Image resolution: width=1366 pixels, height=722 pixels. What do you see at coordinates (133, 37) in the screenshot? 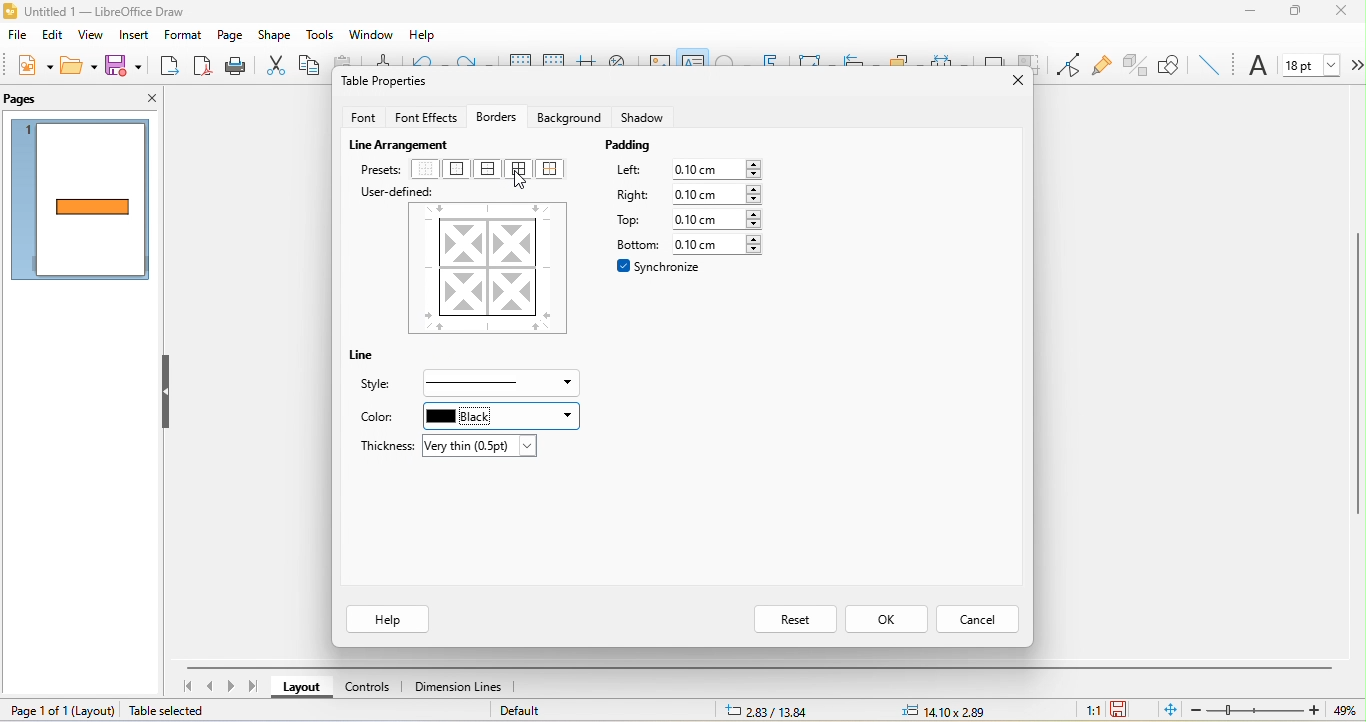
I see `insert` at bounding box center [133, 37].